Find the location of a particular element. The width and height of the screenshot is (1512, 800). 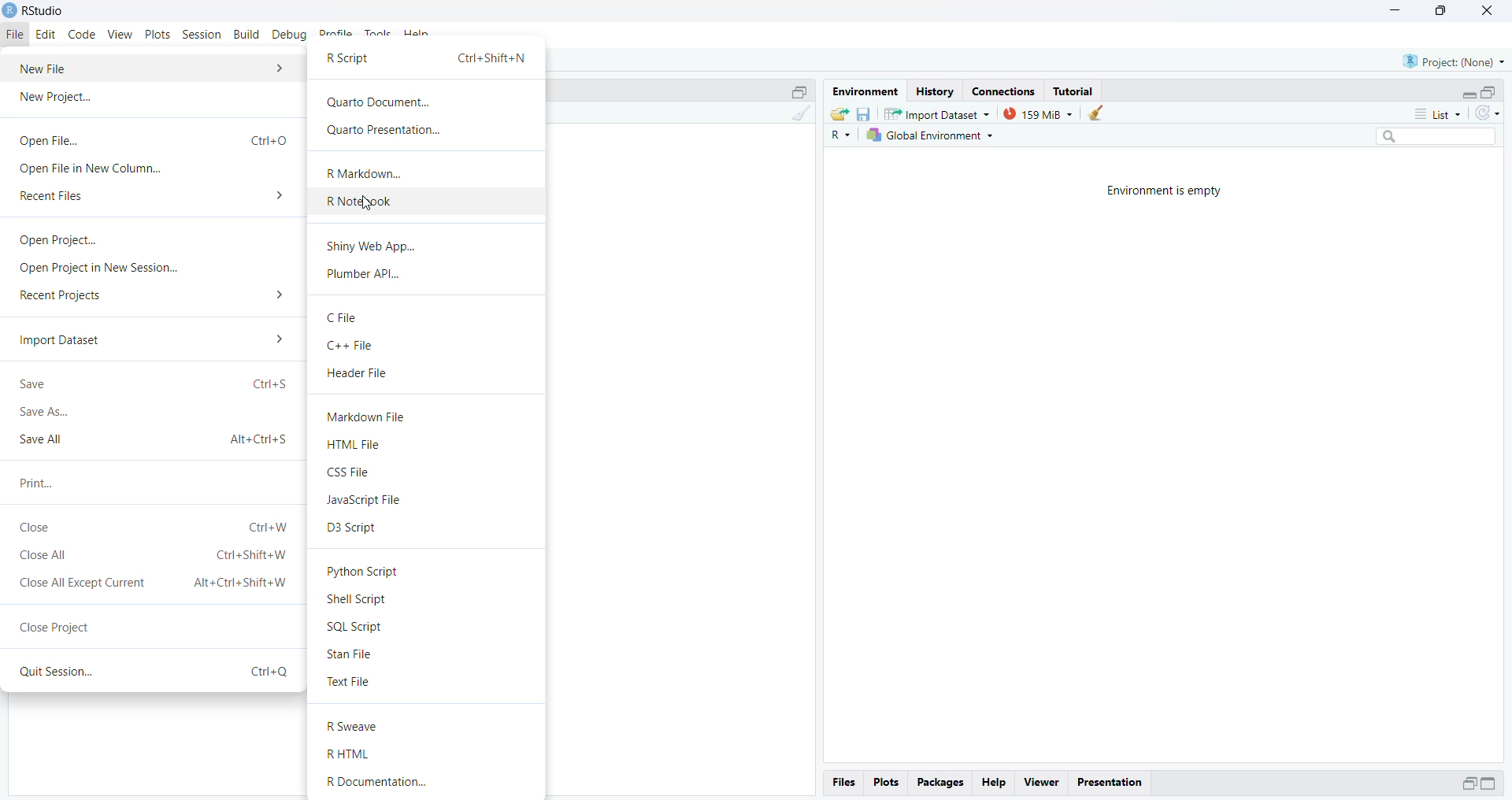

C++ File is located at coordinates (354, 346).